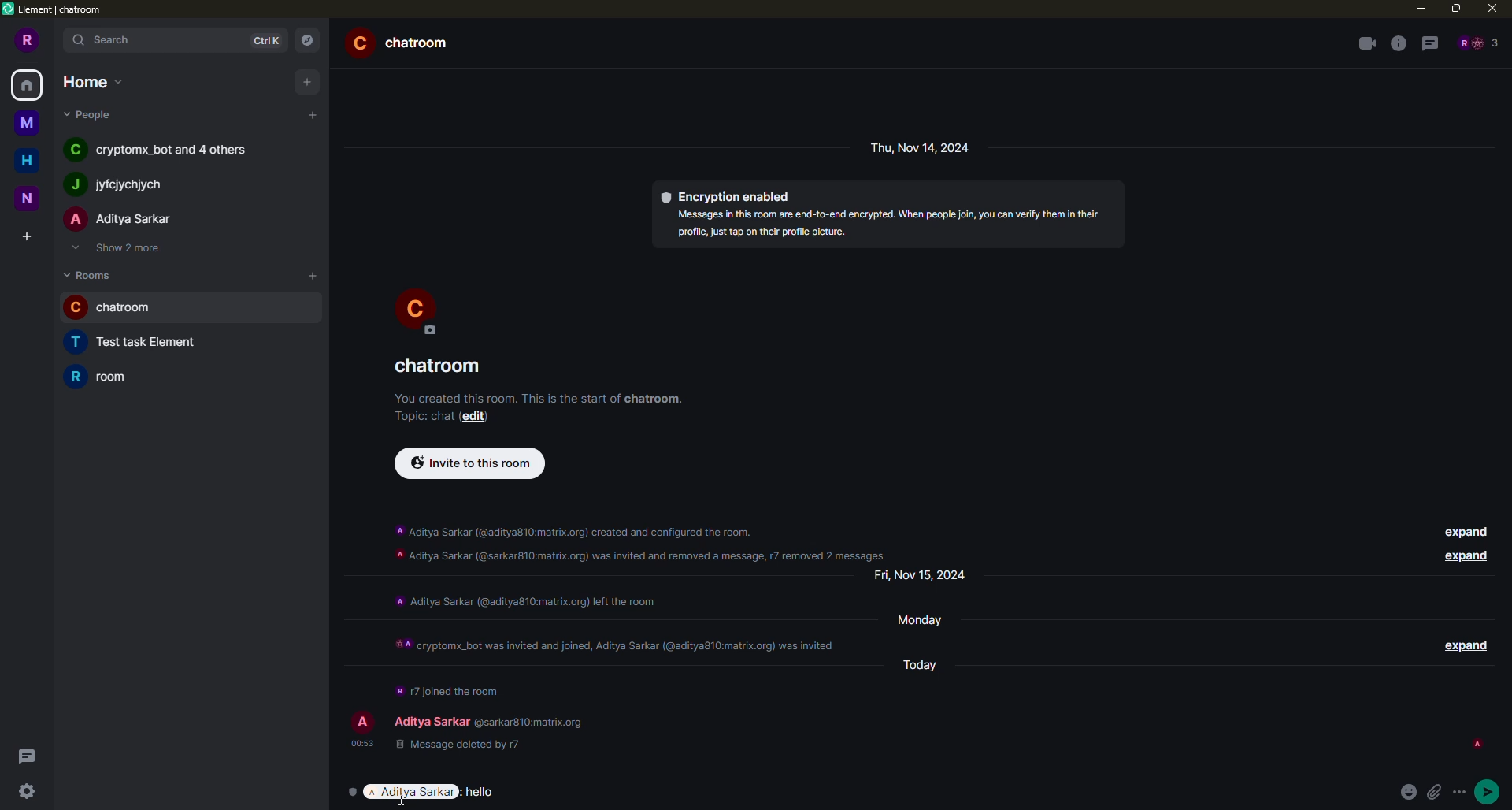  What do you see at coordinates (487, 790) in the screenshot?
I see `hello` at bounding box center [487, 790].